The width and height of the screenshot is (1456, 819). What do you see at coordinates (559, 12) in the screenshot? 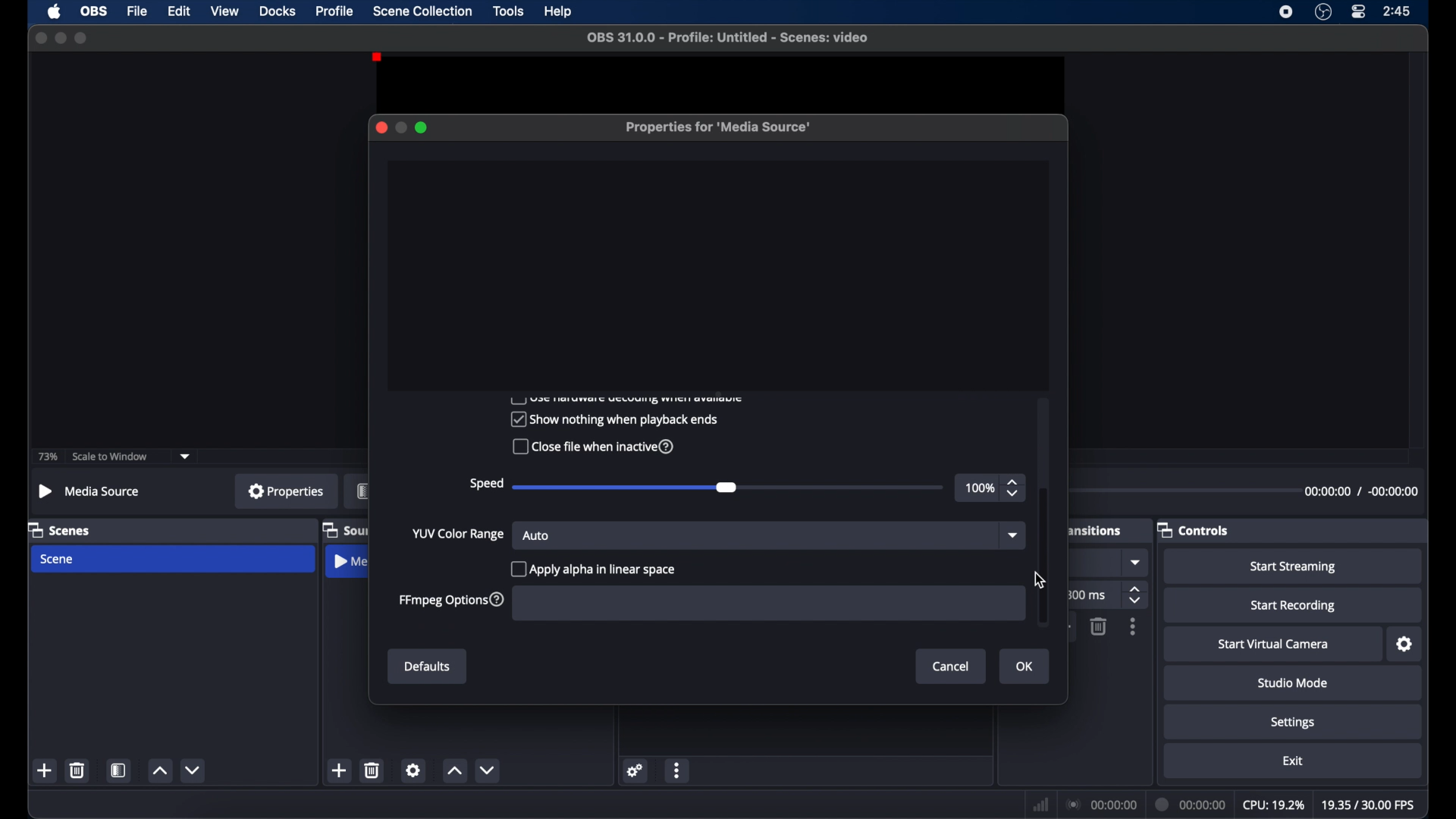
I see `help` at bounding box center [559, 12].